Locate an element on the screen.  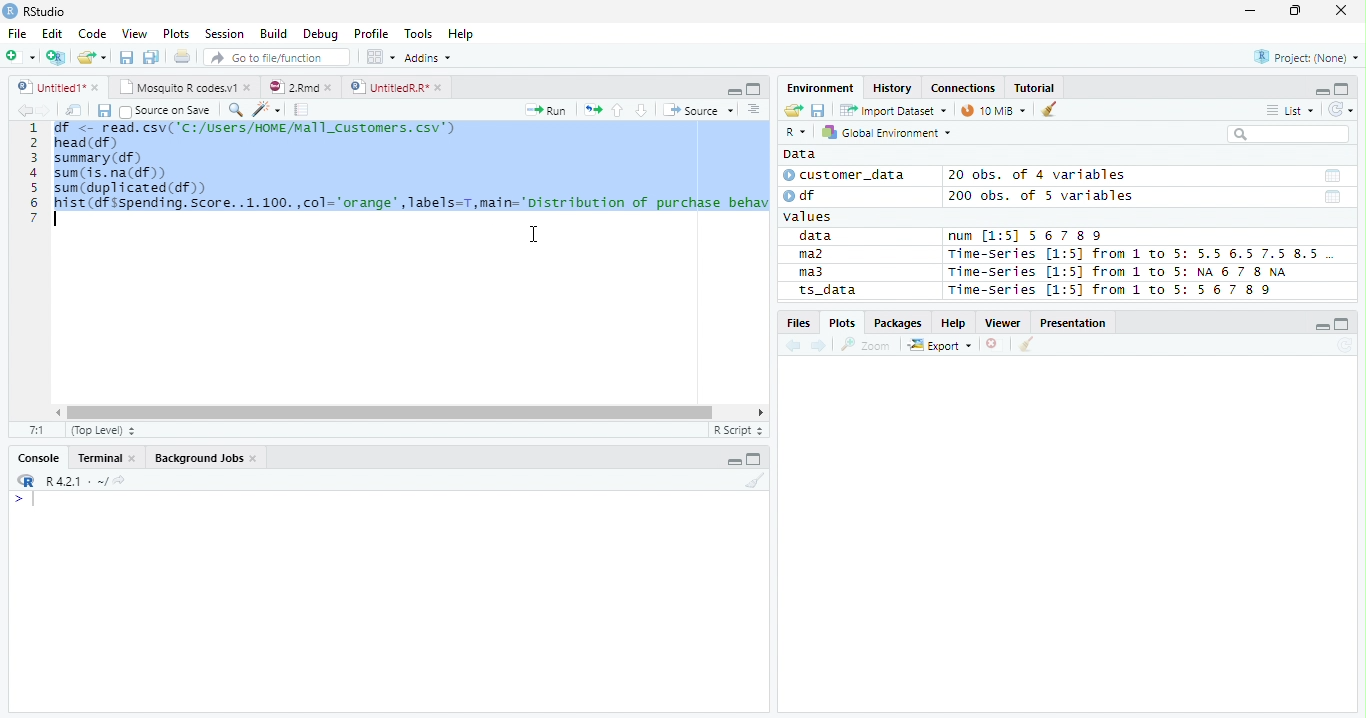
Save all open documents is located at coordinates (151, 58).